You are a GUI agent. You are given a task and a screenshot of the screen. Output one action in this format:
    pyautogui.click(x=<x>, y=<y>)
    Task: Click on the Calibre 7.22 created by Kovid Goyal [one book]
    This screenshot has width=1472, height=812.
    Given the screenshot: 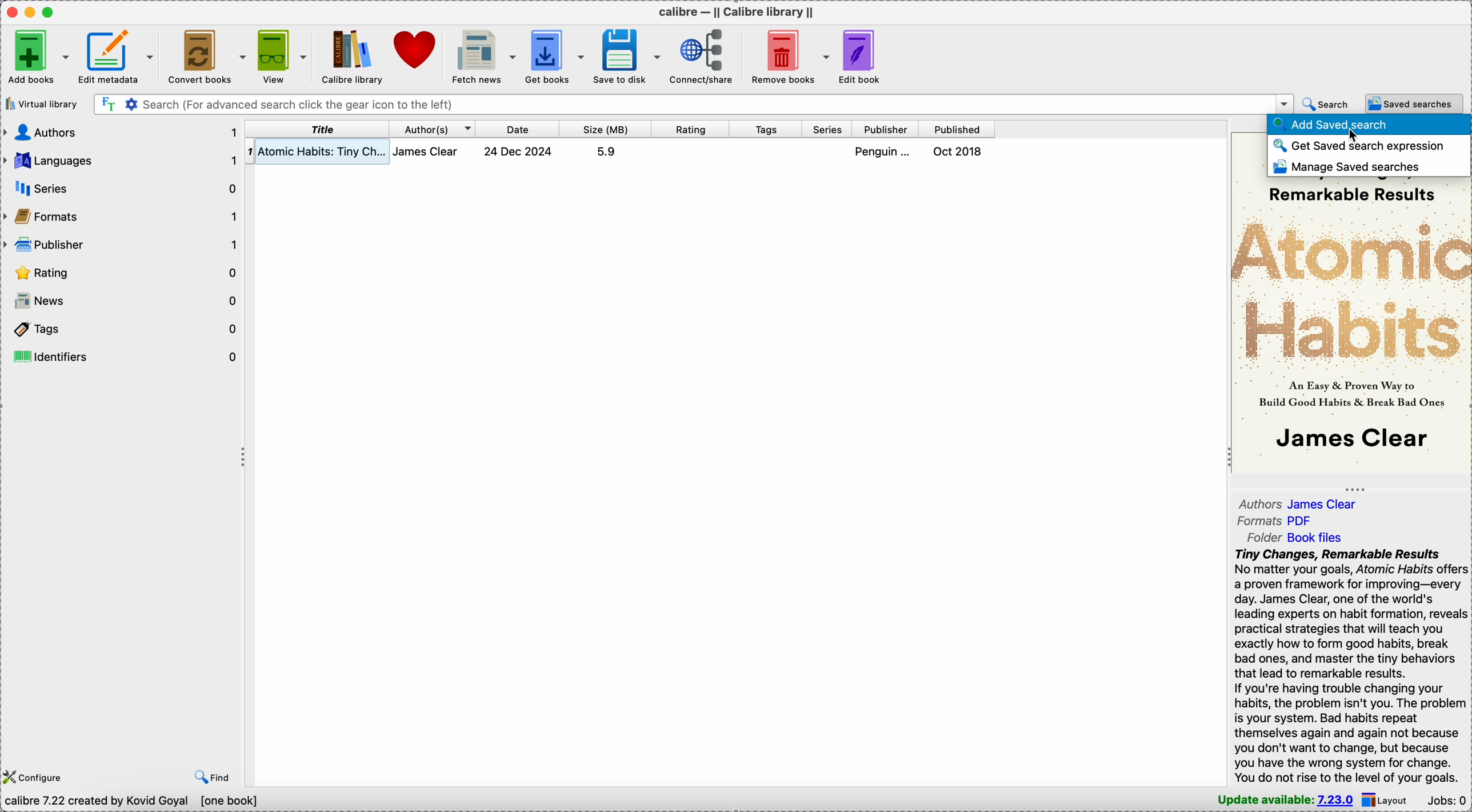 What is the action you would take?
    pyautogui.click(x=138, y=801)
    